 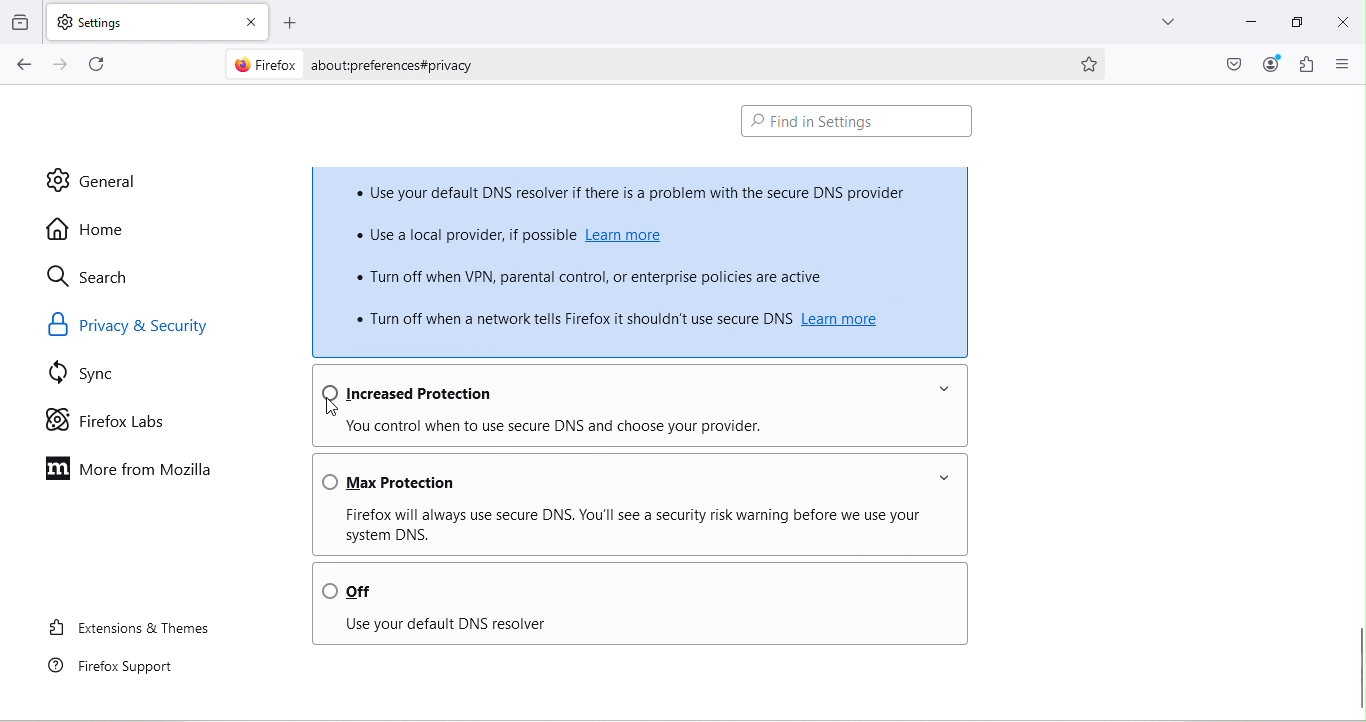 What do you see at coordinates (618, 319) in the screenshot?
I see `» Tum off when a network tells Firefox it shouldn't use secure DNS Learn more` at bounding box center [618, 319].